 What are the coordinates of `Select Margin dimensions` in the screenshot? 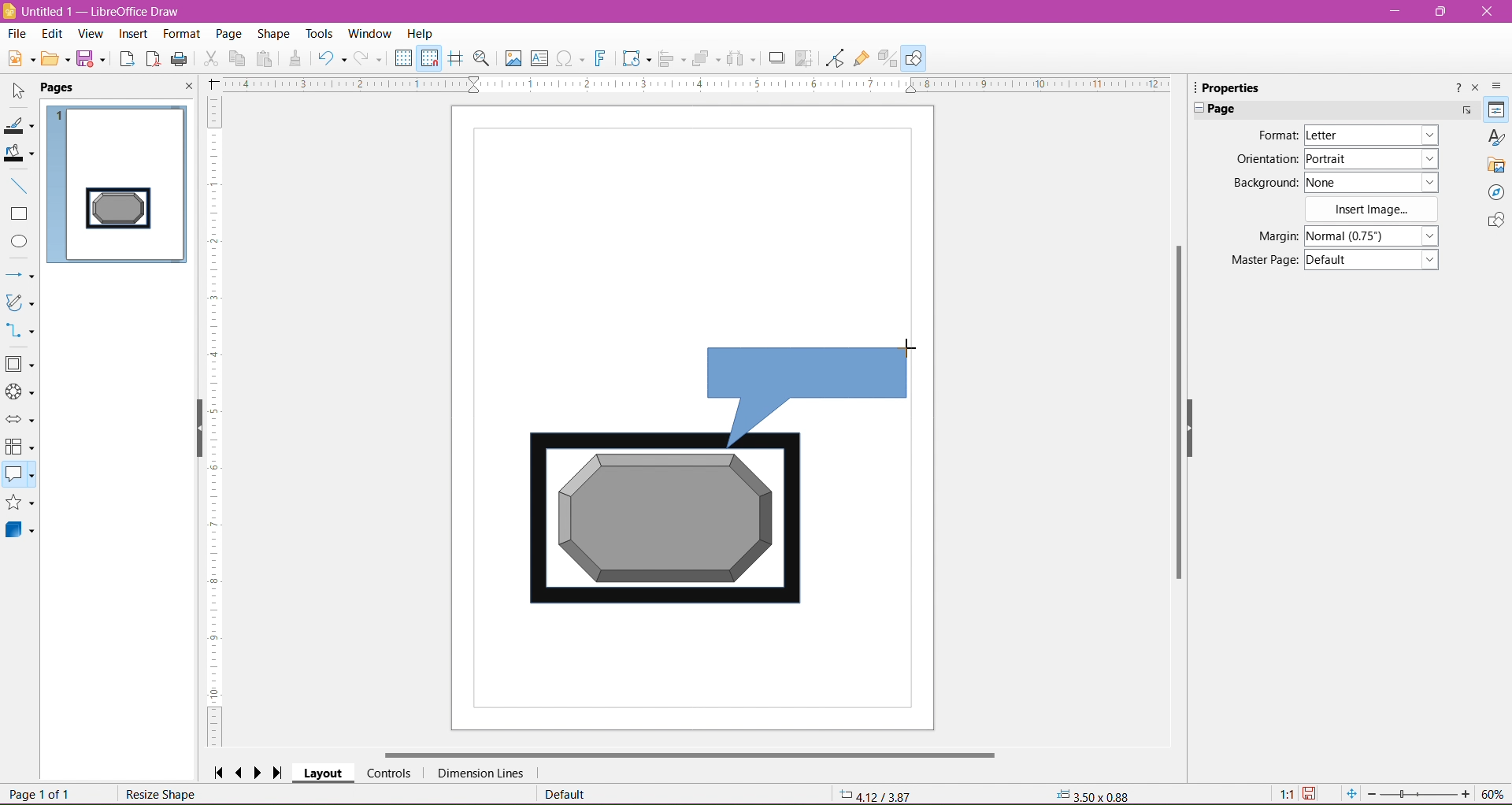 It's located at (1370, 236).